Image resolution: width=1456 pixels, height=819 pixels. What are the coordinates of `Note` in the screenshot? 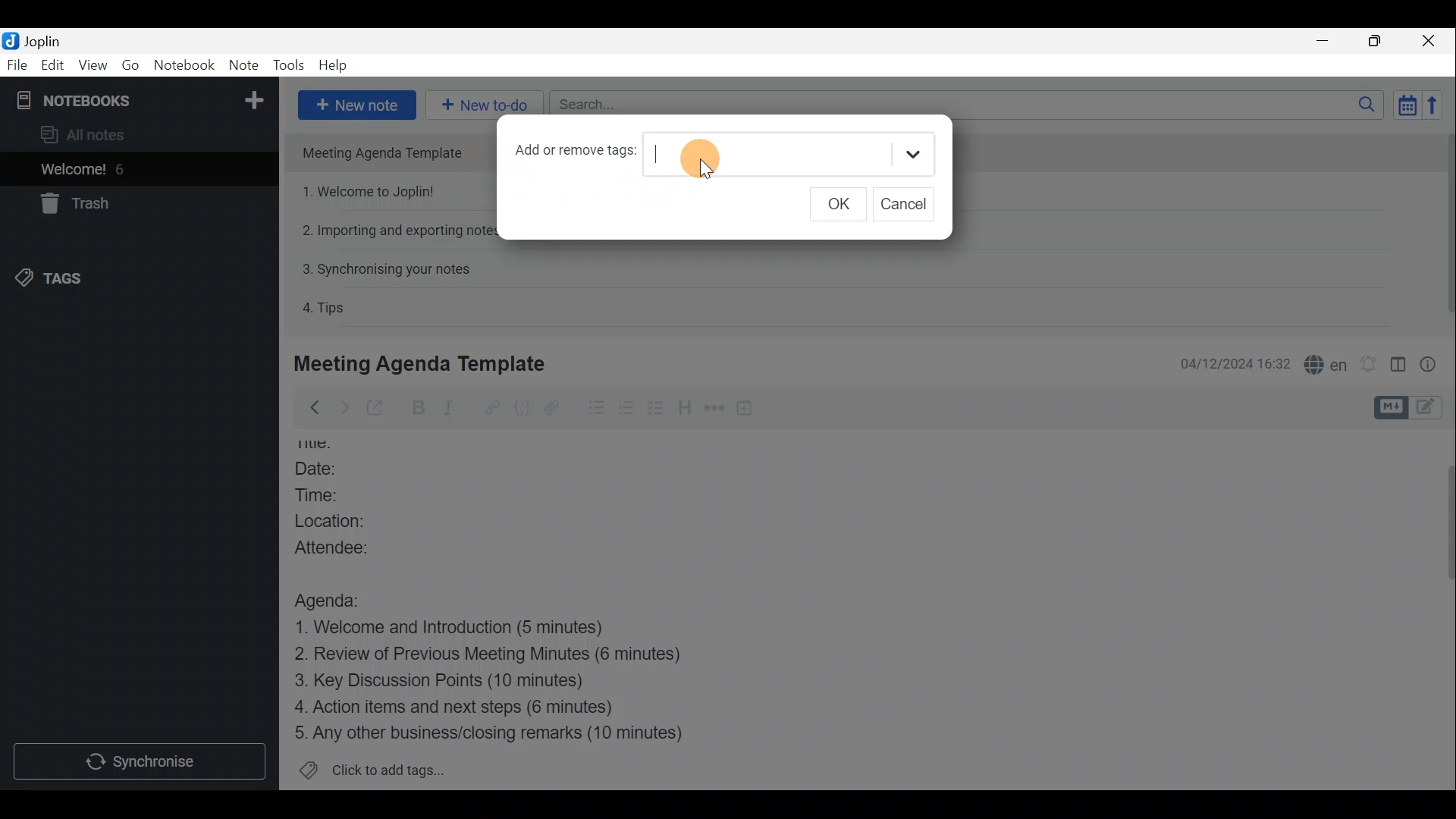 It's located at (242, 62).